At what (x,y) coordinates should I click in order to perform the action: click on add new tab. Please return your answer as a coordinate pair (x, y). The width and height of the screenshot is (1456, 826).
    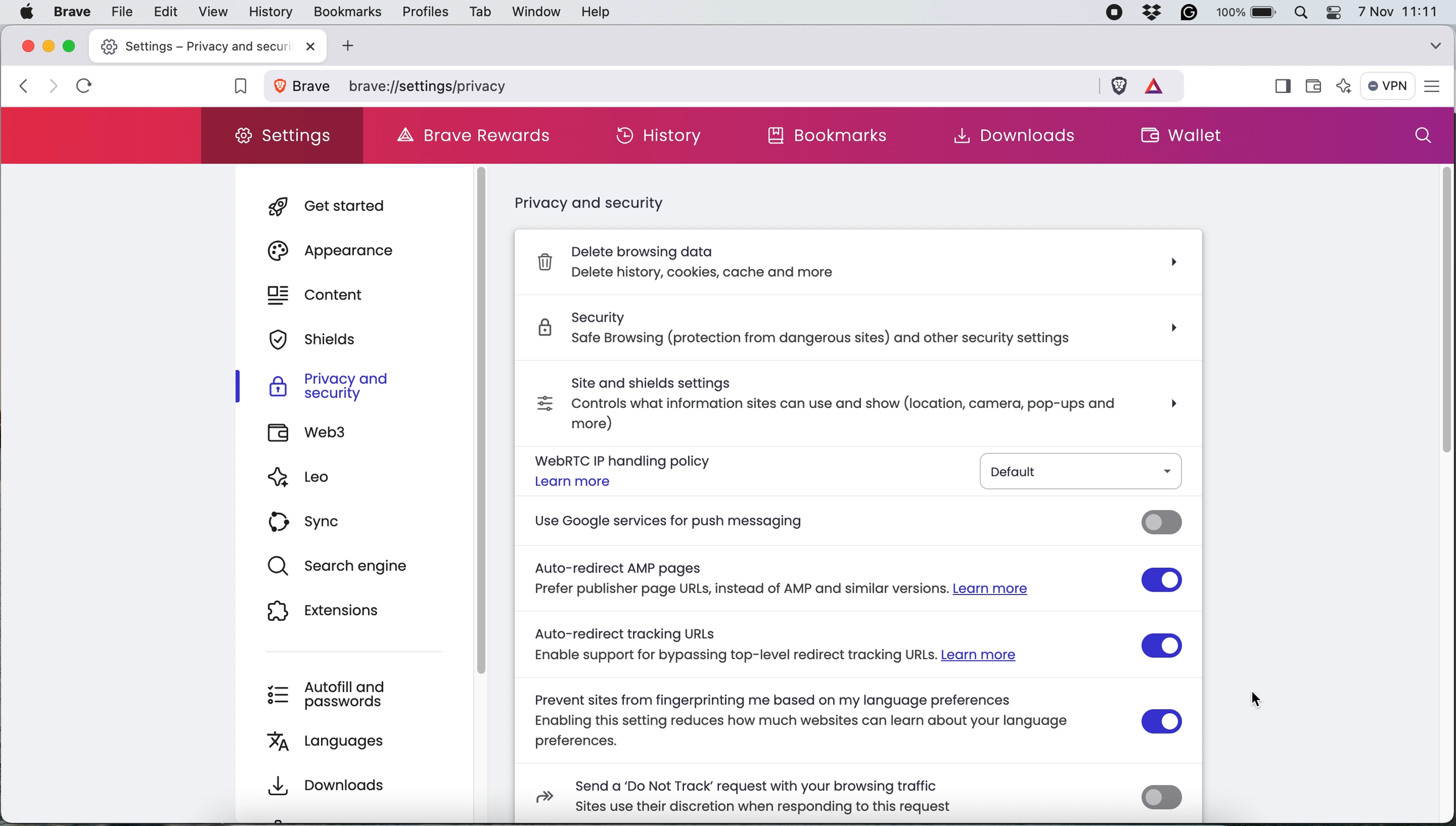
    Looking at the image, I should click on (345, 46).